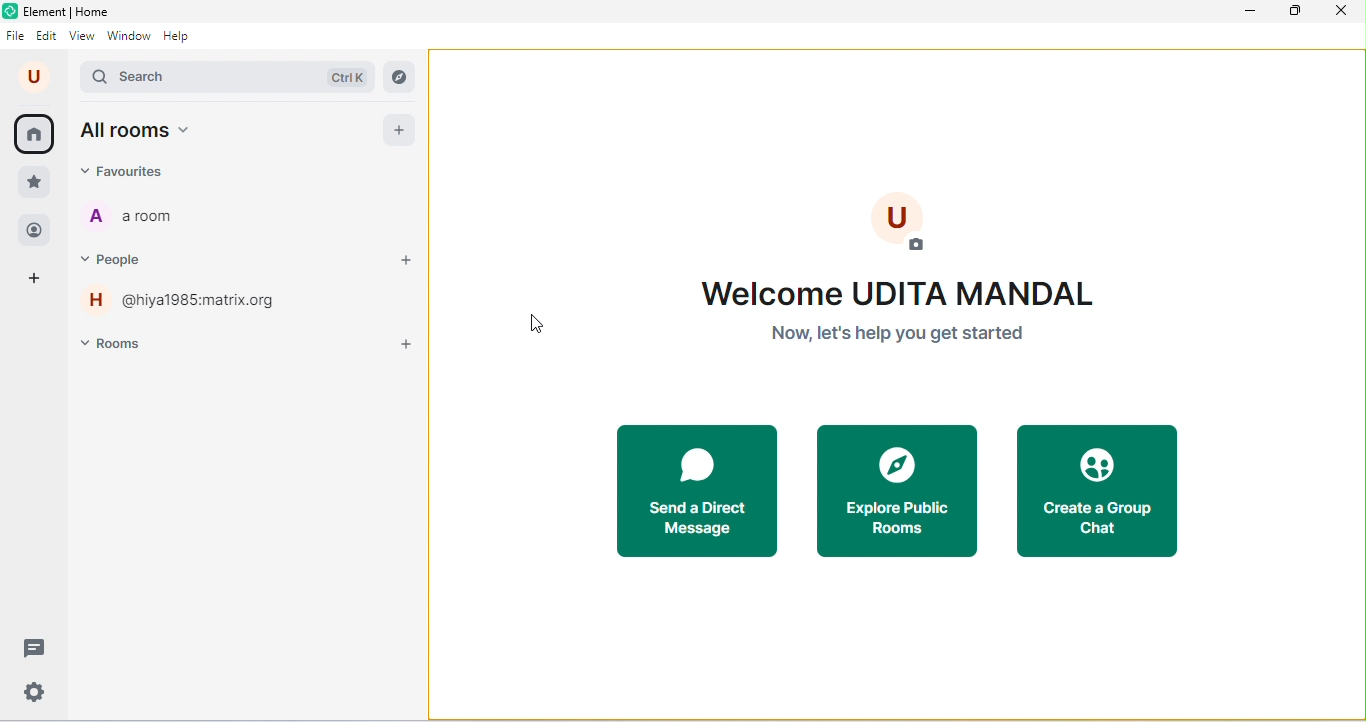 The width and height of the screenshot is (1366, 722). What do you see at coordinates (10, 11) in the screenshot?
I see `logo` at bounding box center [10, 11].